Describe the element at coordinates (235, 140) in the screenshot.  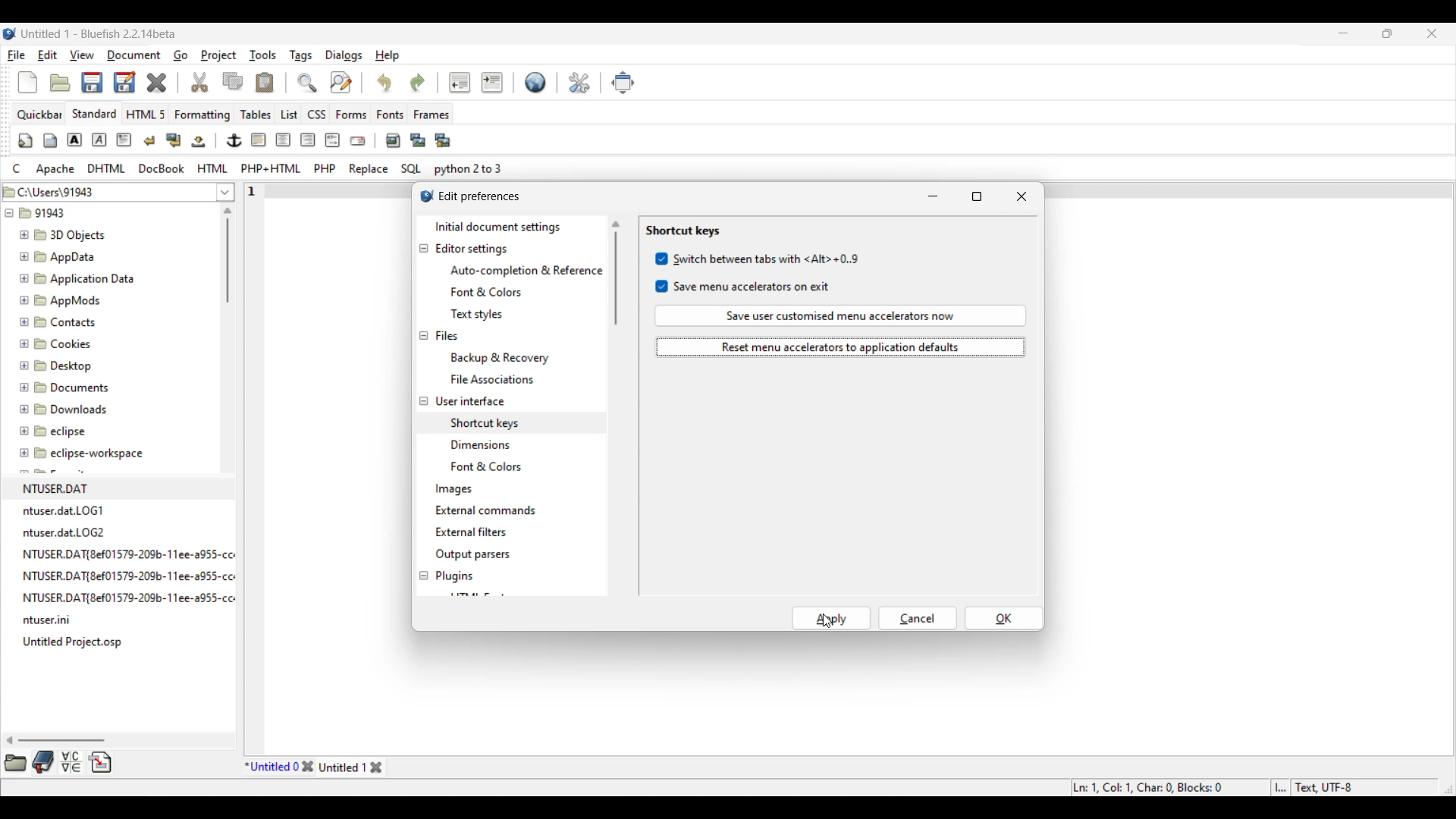
I see `Image and text edit tools` at that location.